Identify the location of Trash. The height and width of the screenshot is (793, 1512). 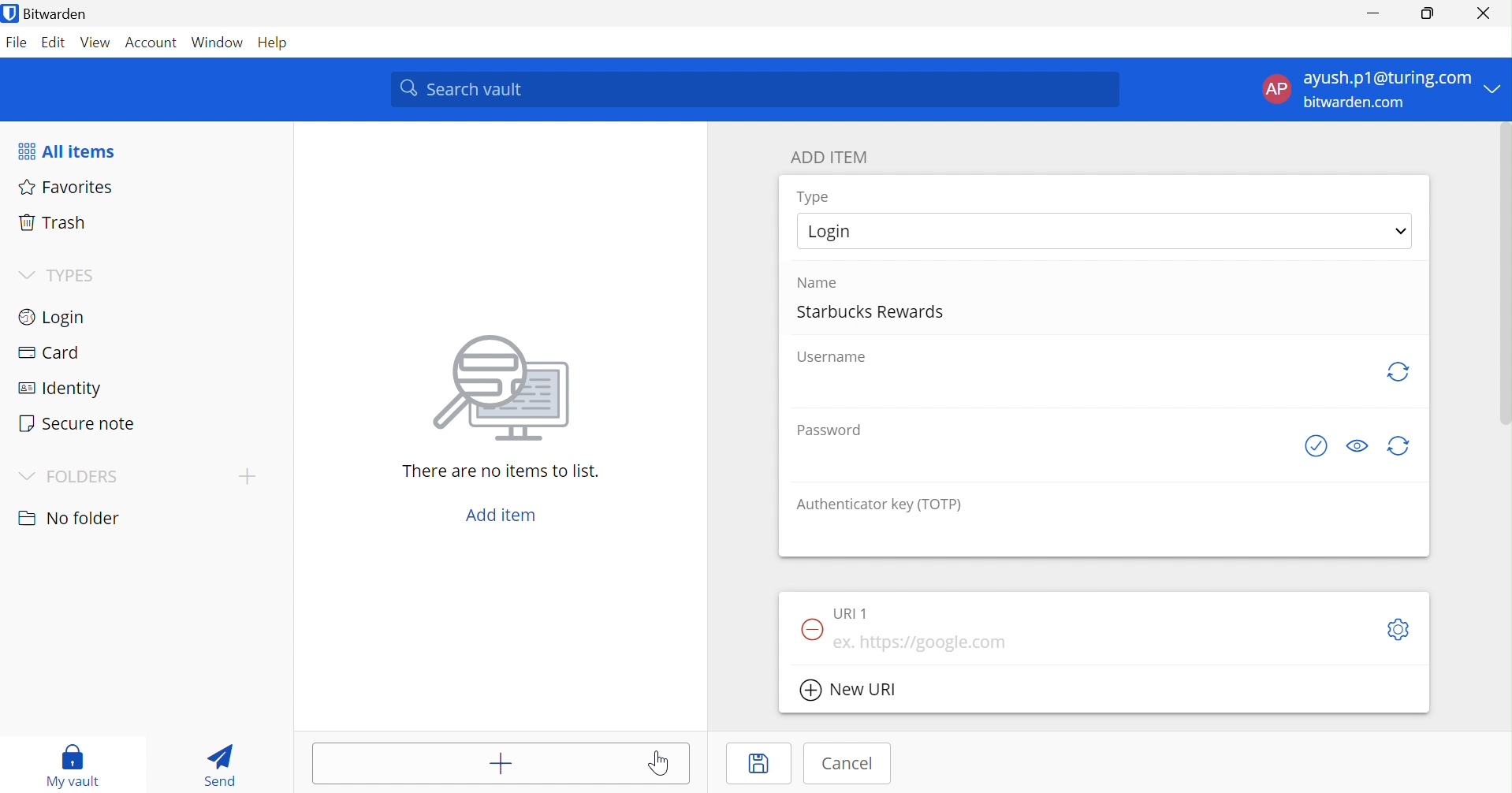
(51, 225).